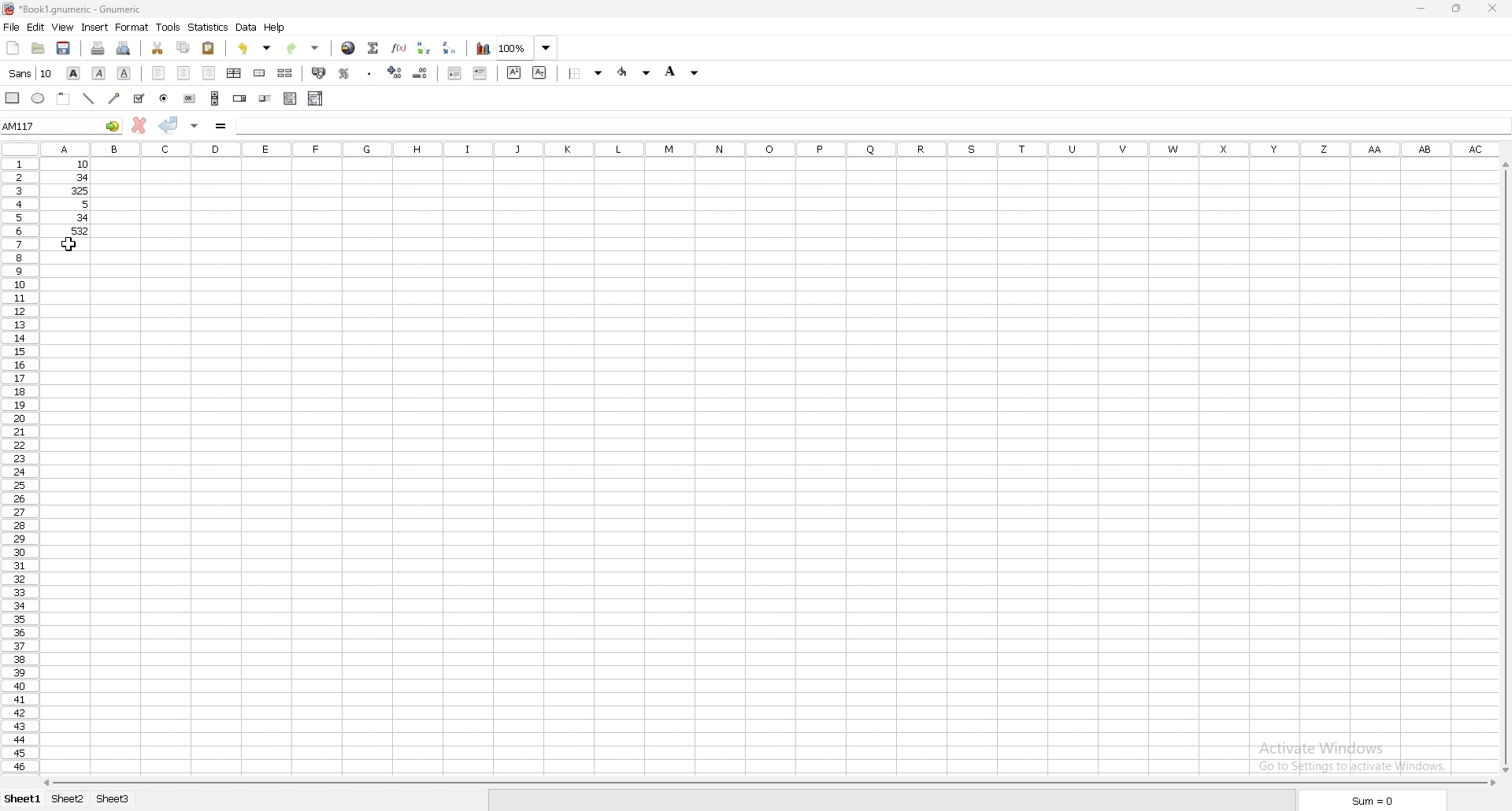 This screenshot has width=1512, height=811. Describe the element at coordinates (633, 72) in the screenshot. I see `foreground` at that location.